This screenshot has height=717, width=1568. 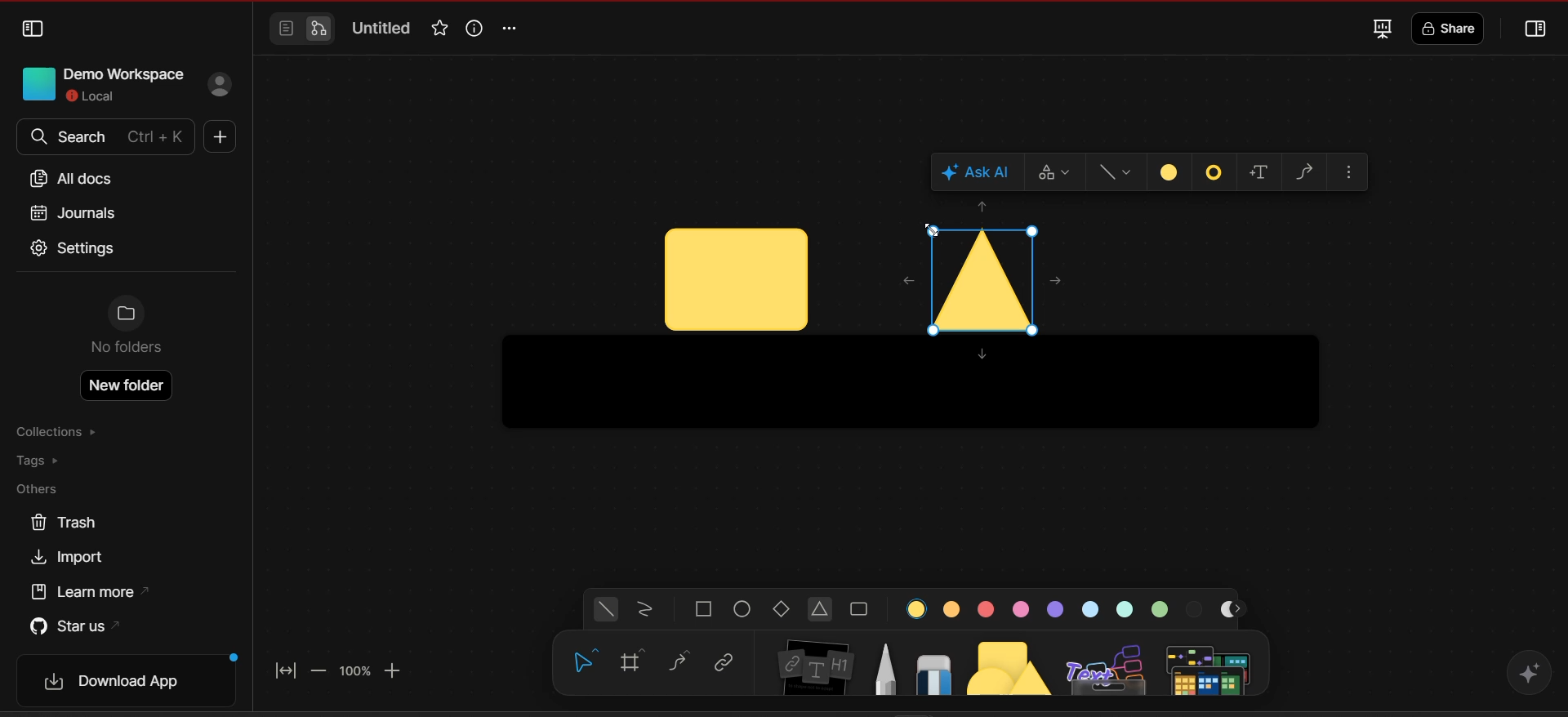 I want to click on ellipse, so click(x=744, y=609).